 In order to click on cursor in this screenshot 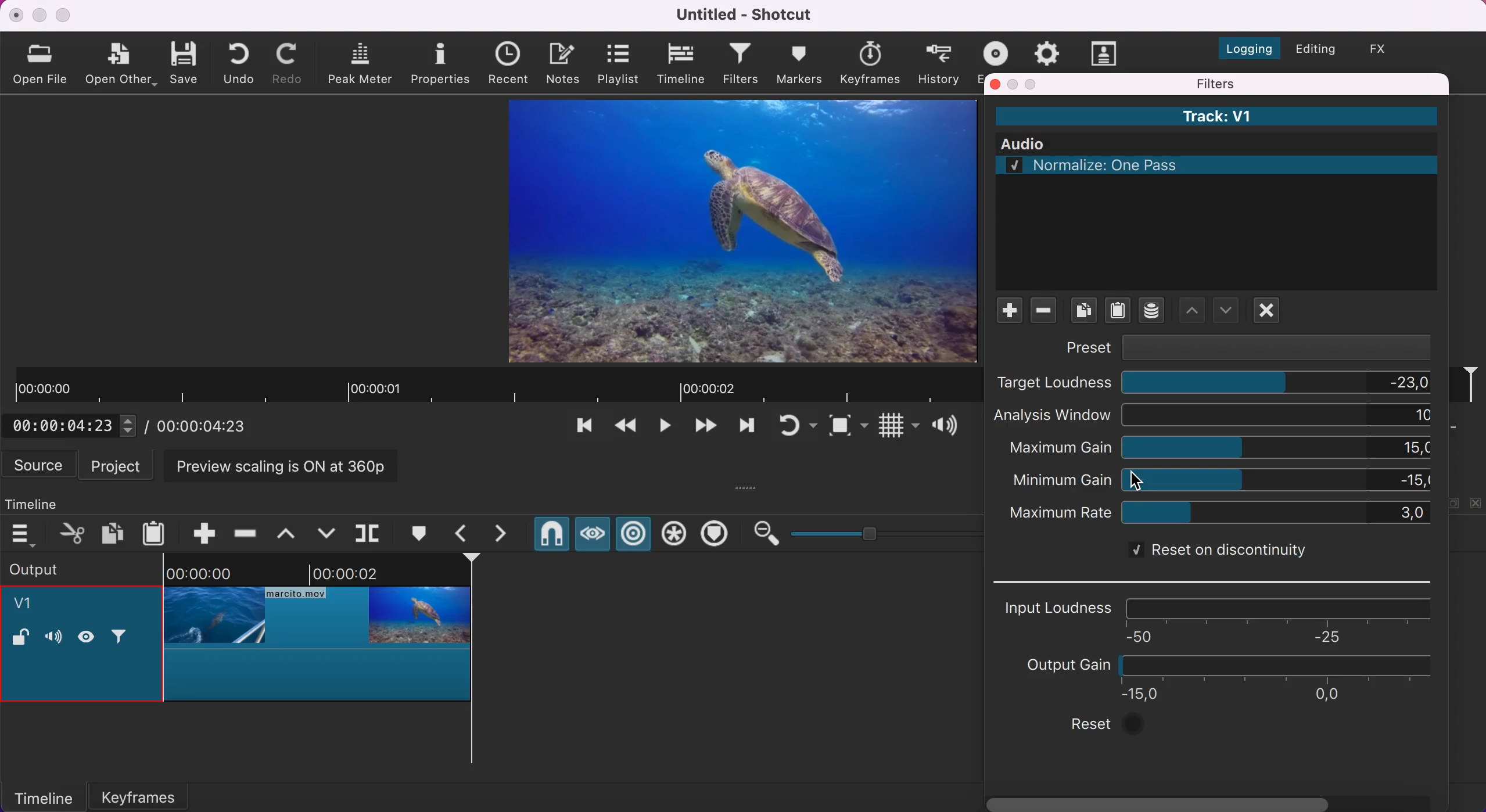, I will do `click(1139, 480)`.